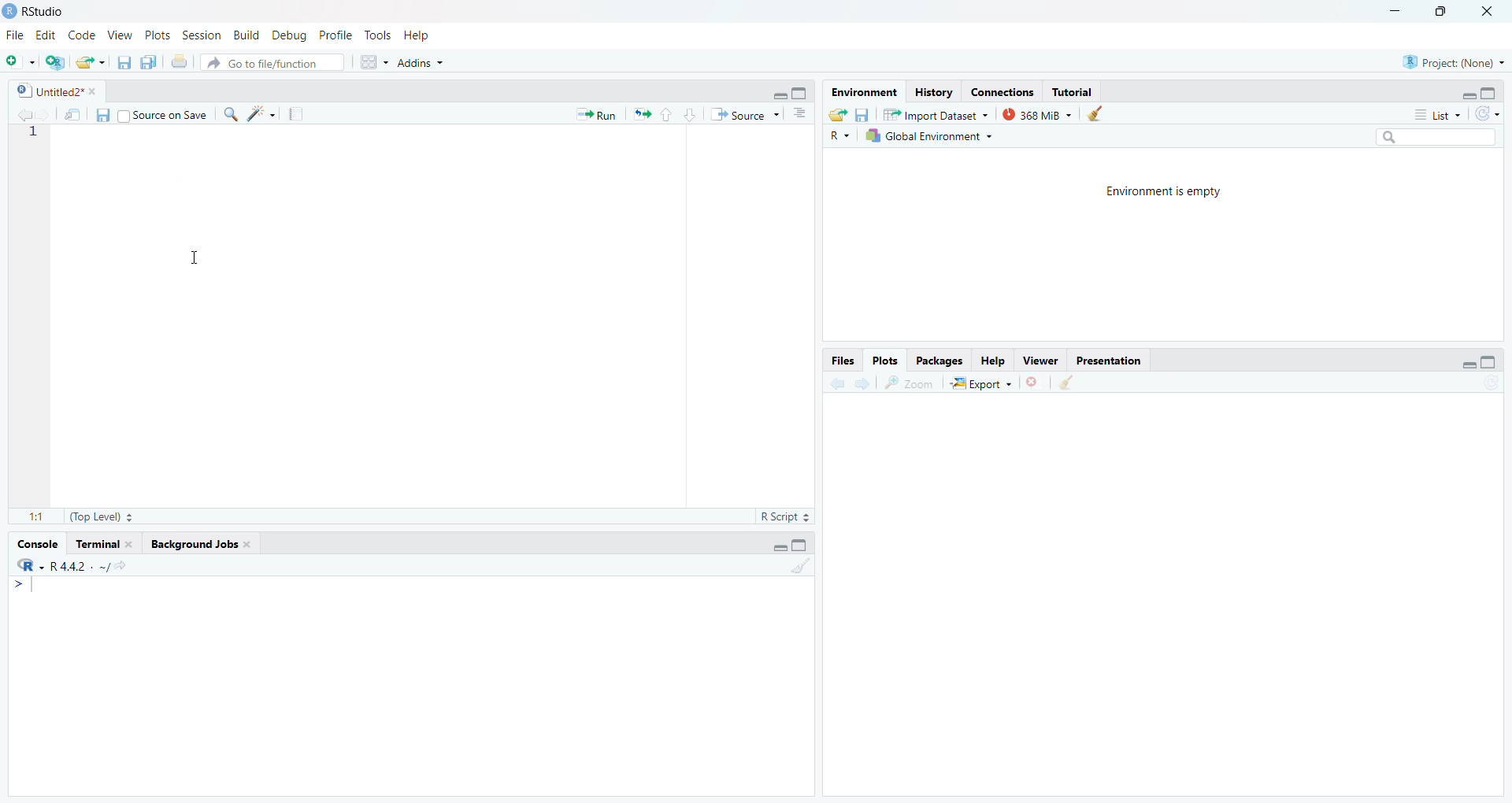  I want to click on Global Environment ~, so click(929, 136).